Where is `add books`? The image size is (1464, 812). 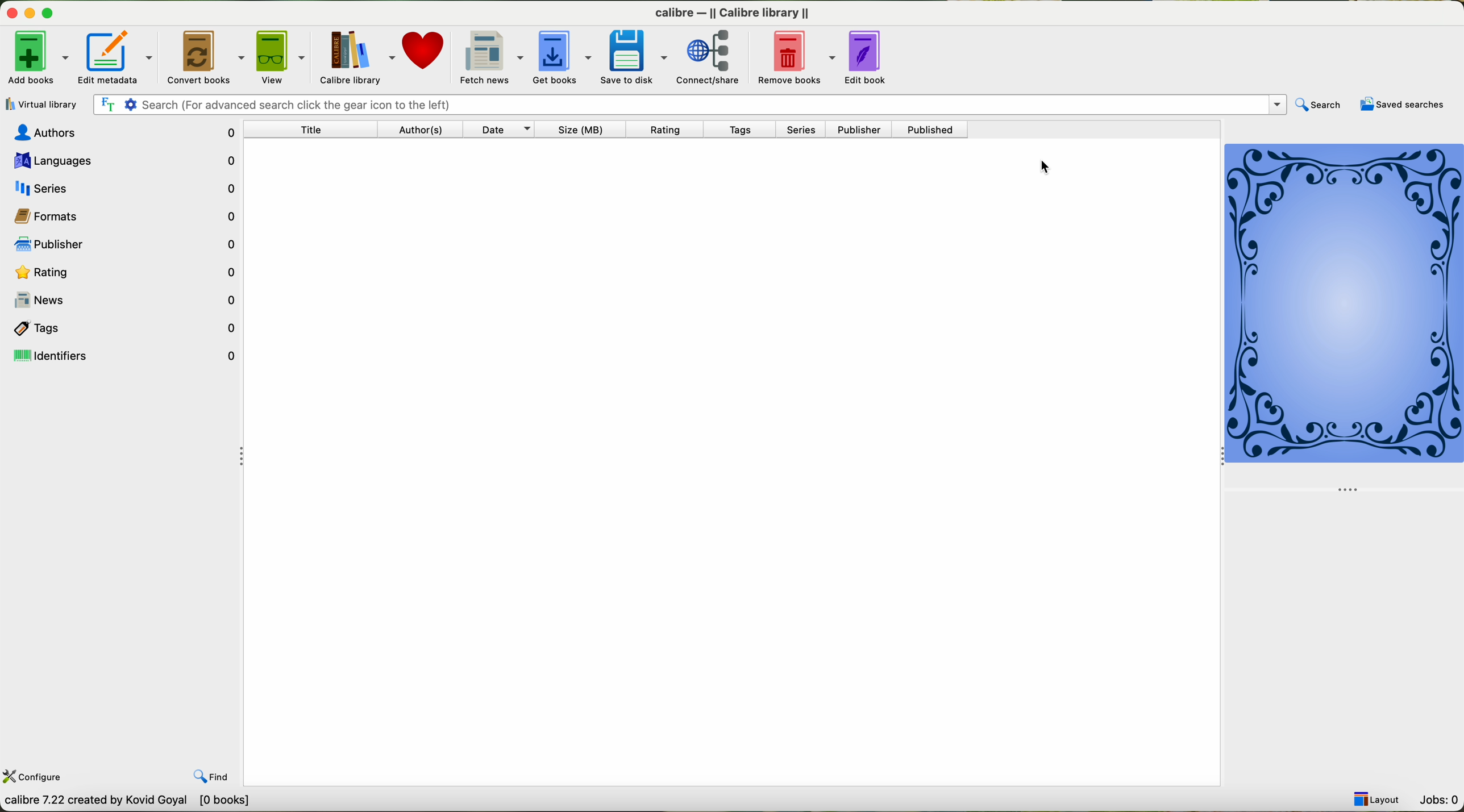 add books is located at coordinates (36, 57).